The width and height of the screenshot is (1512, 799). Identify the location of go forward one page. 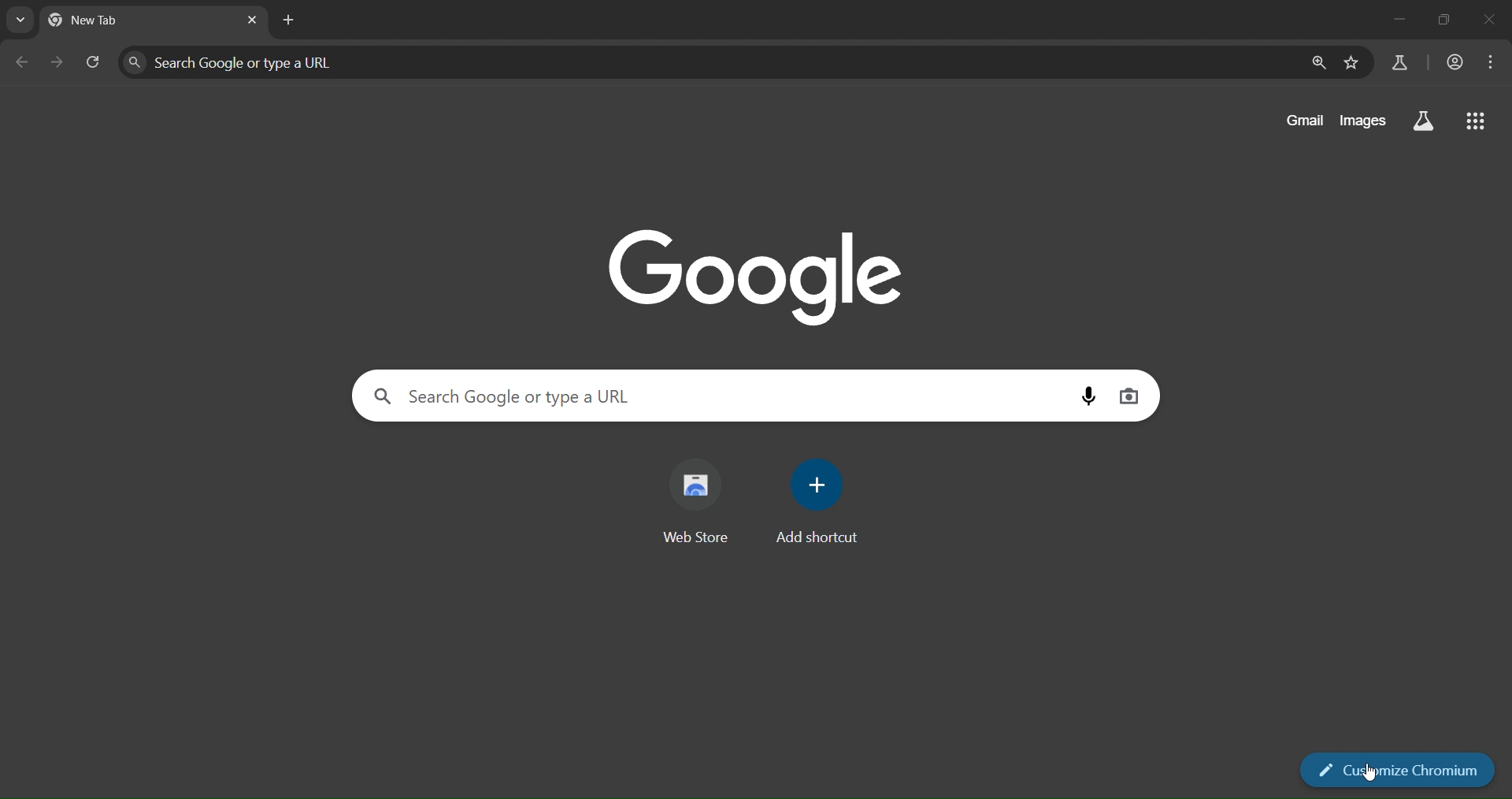
(58, 64).